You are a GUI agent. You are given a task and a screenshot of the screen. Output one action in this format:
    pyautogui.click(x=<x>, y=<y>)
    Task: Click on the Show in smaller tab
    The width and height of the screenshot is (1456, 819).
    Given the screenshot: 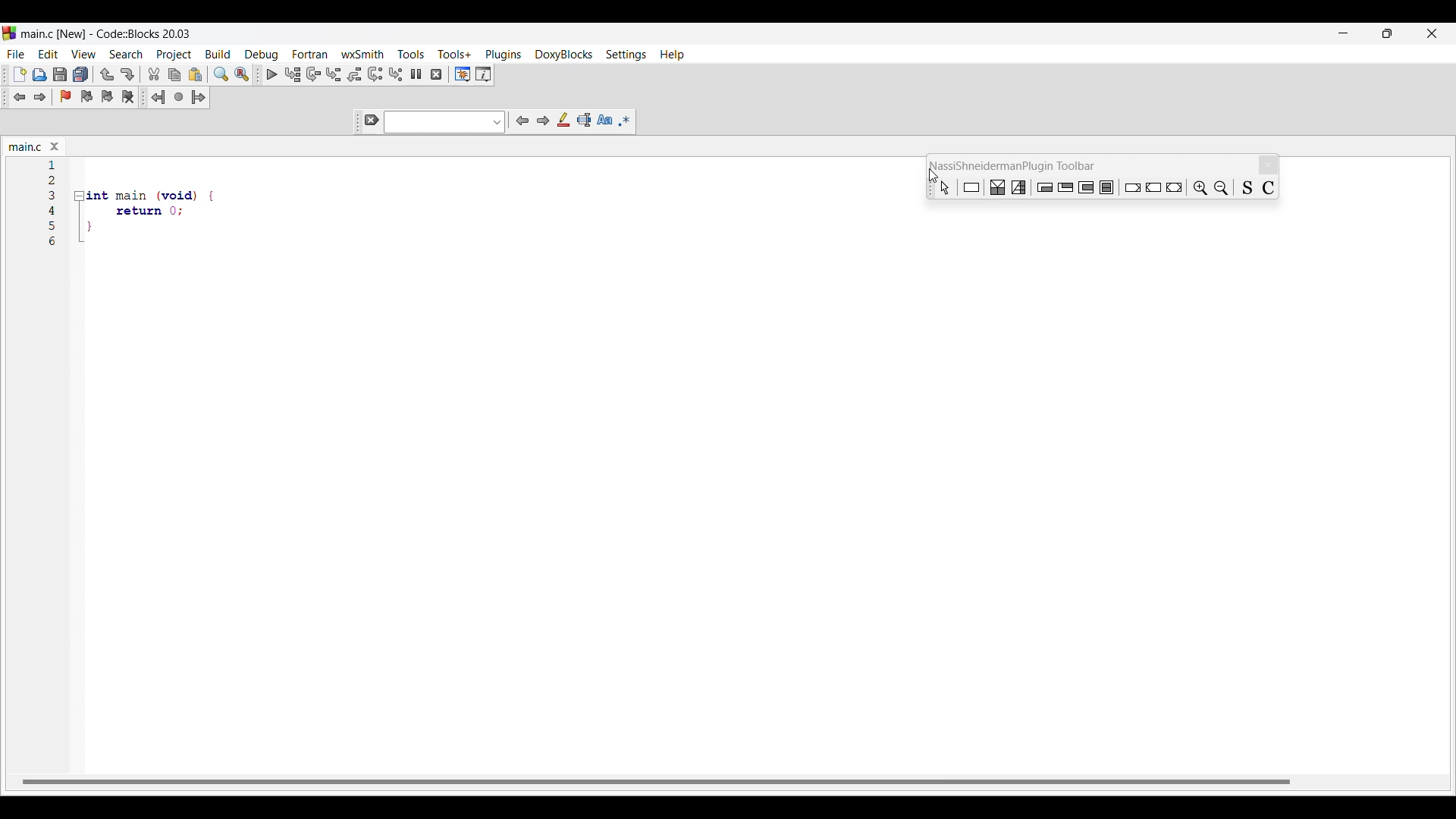 What is the action you would take?
    pyautogui.click(x=1387, y=33)
    